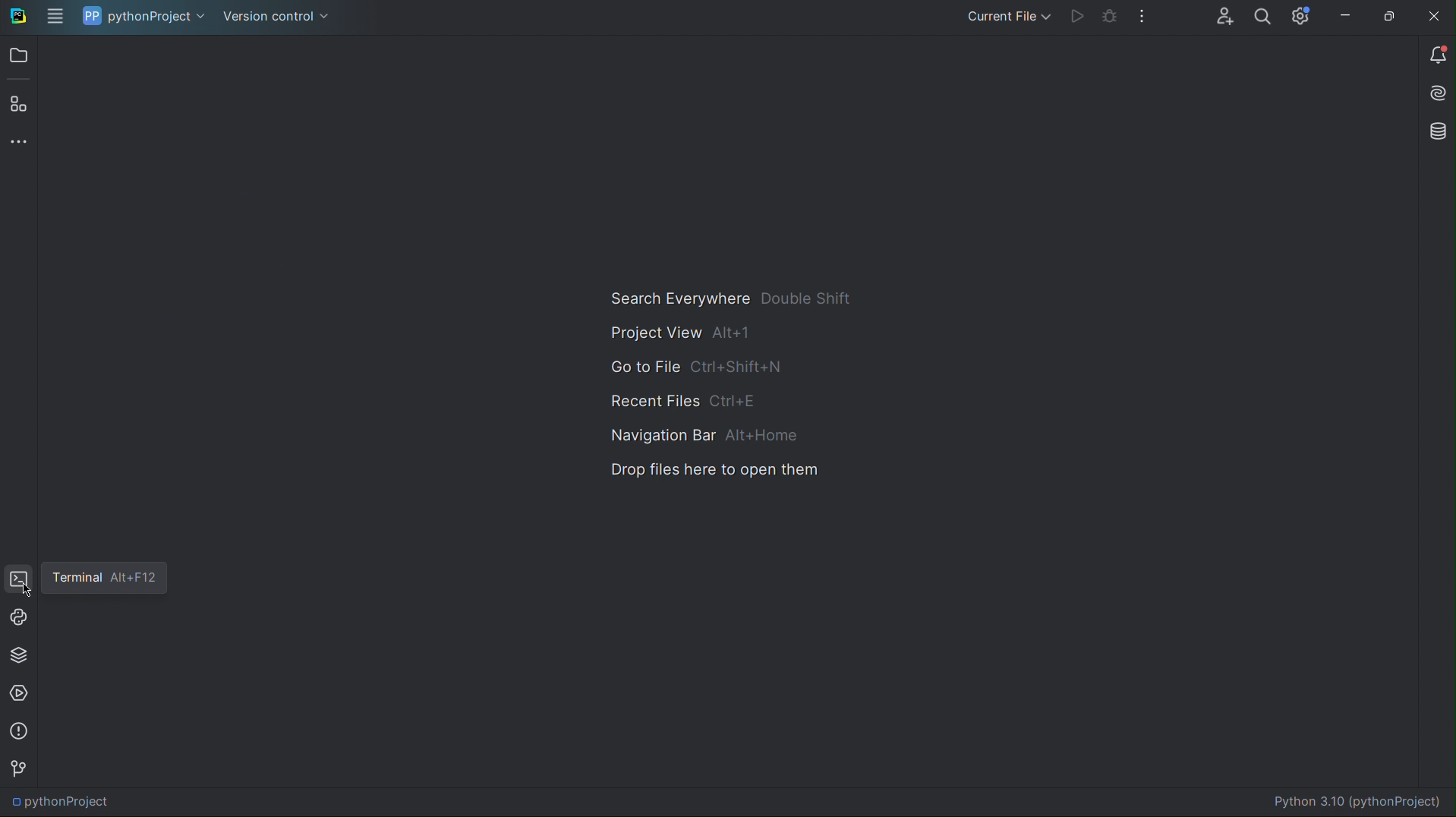  What do you see at coordinates (1434, 18) in the screenshot?
I see `Close` at bounding box center [1434, 18].